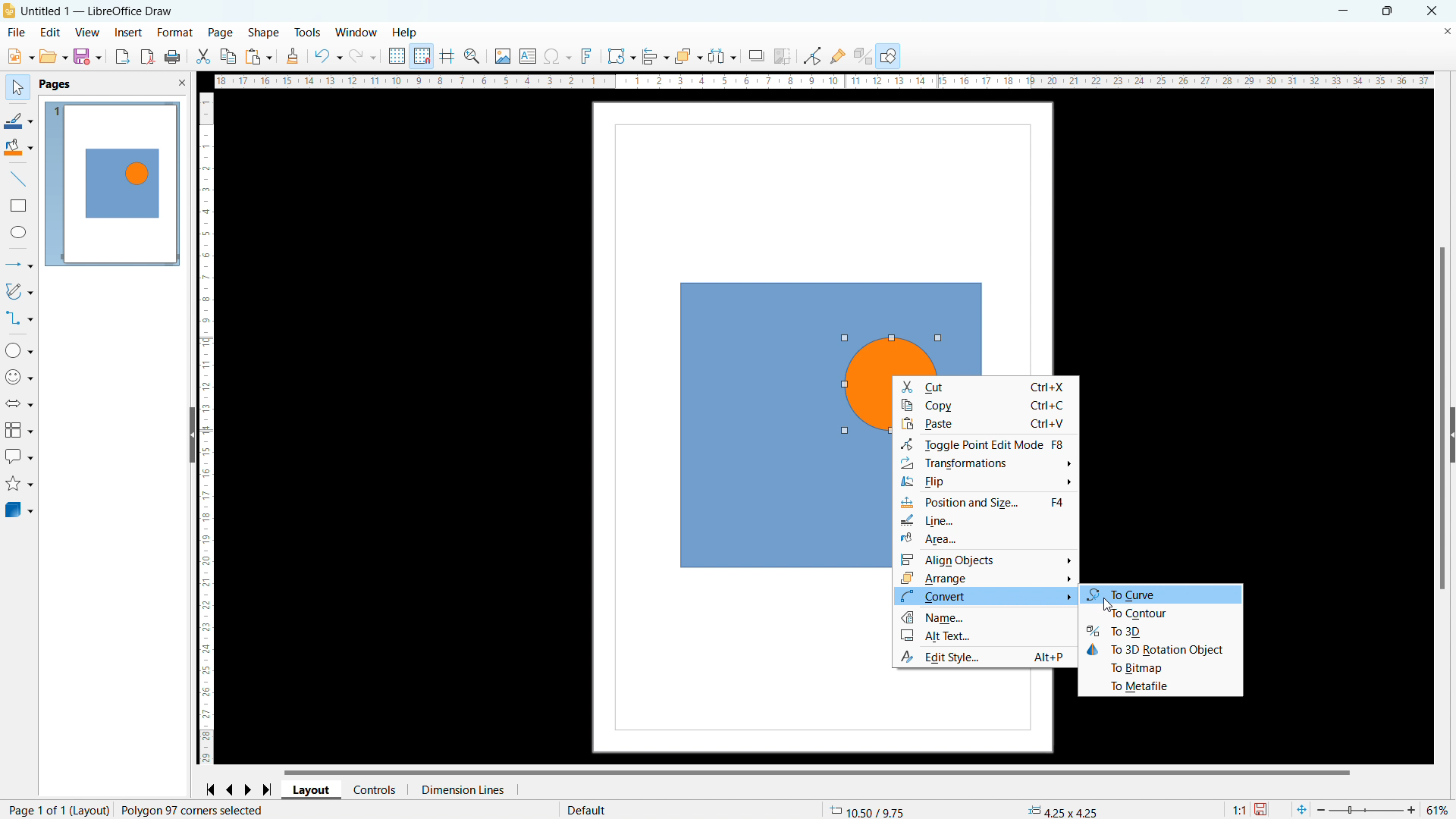 The height and width of the screenshot is (819, 1456). Describe the element at coordinates (654, 56) in the screenshot. I see `align objects` at that location.